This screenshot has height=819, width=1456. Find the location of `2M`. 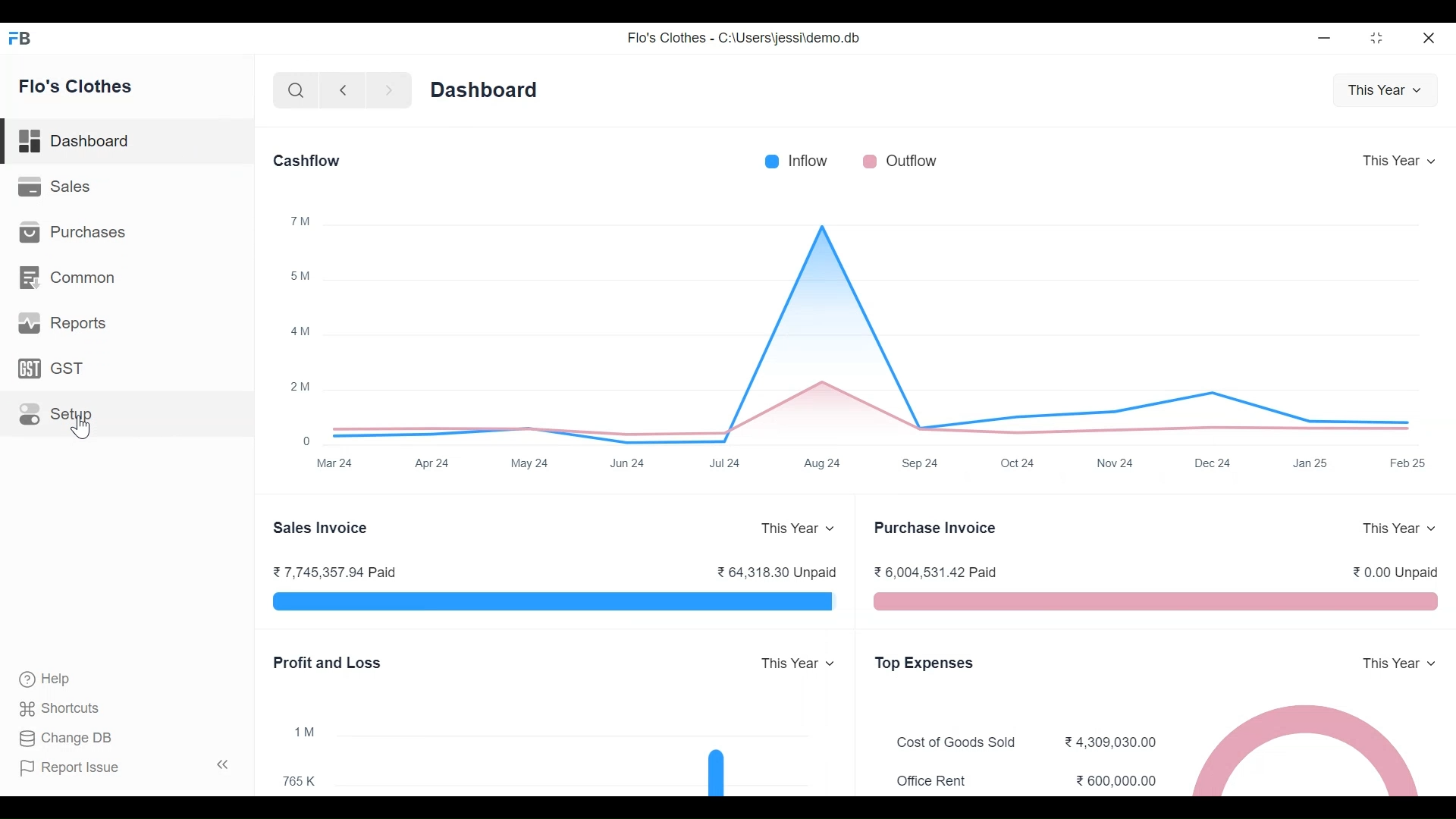

2M is located at coordinates (300, 386).